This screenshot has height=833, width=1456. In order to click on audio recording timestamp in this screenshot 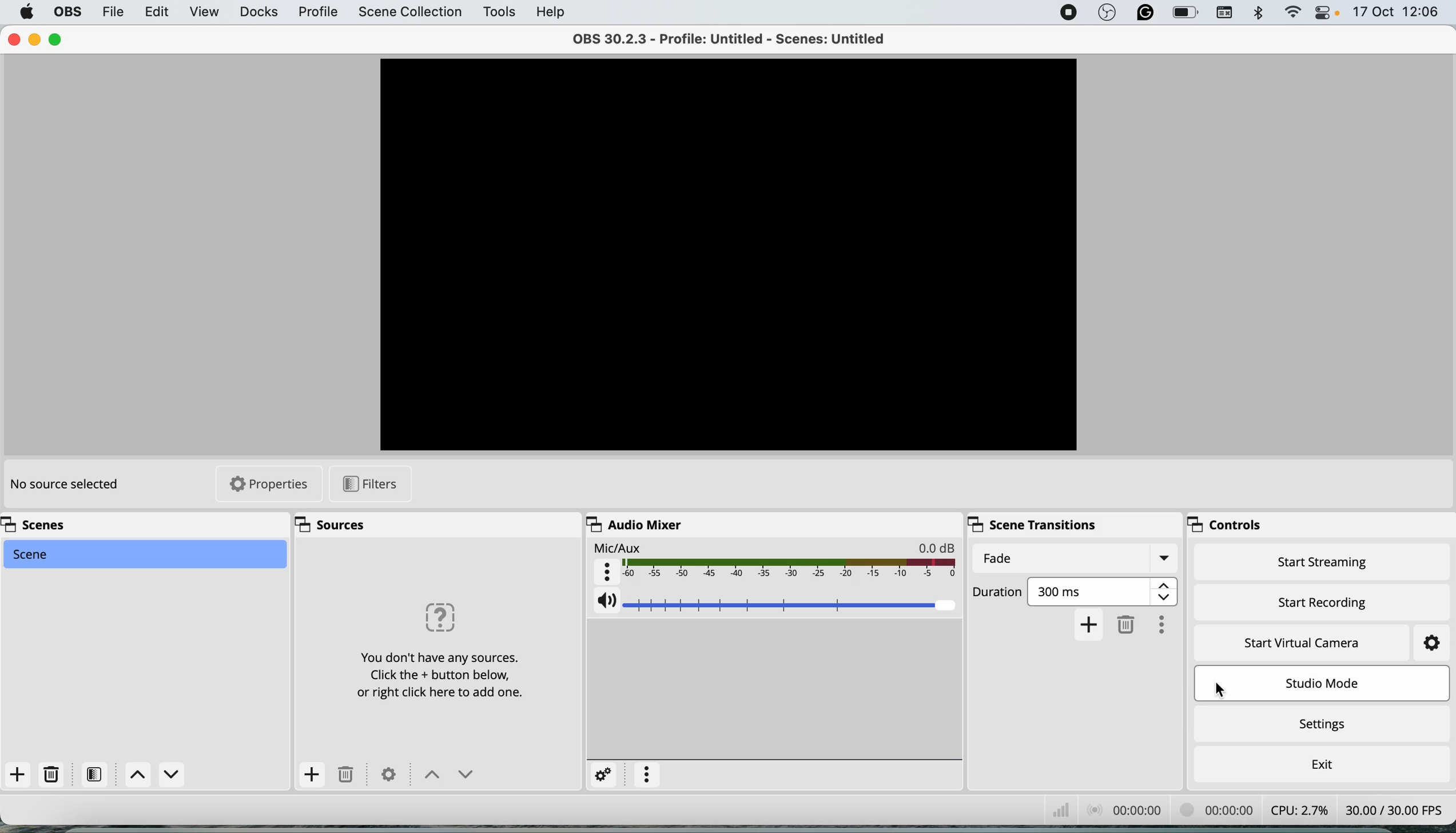, I will do `click(1124, 810)`.